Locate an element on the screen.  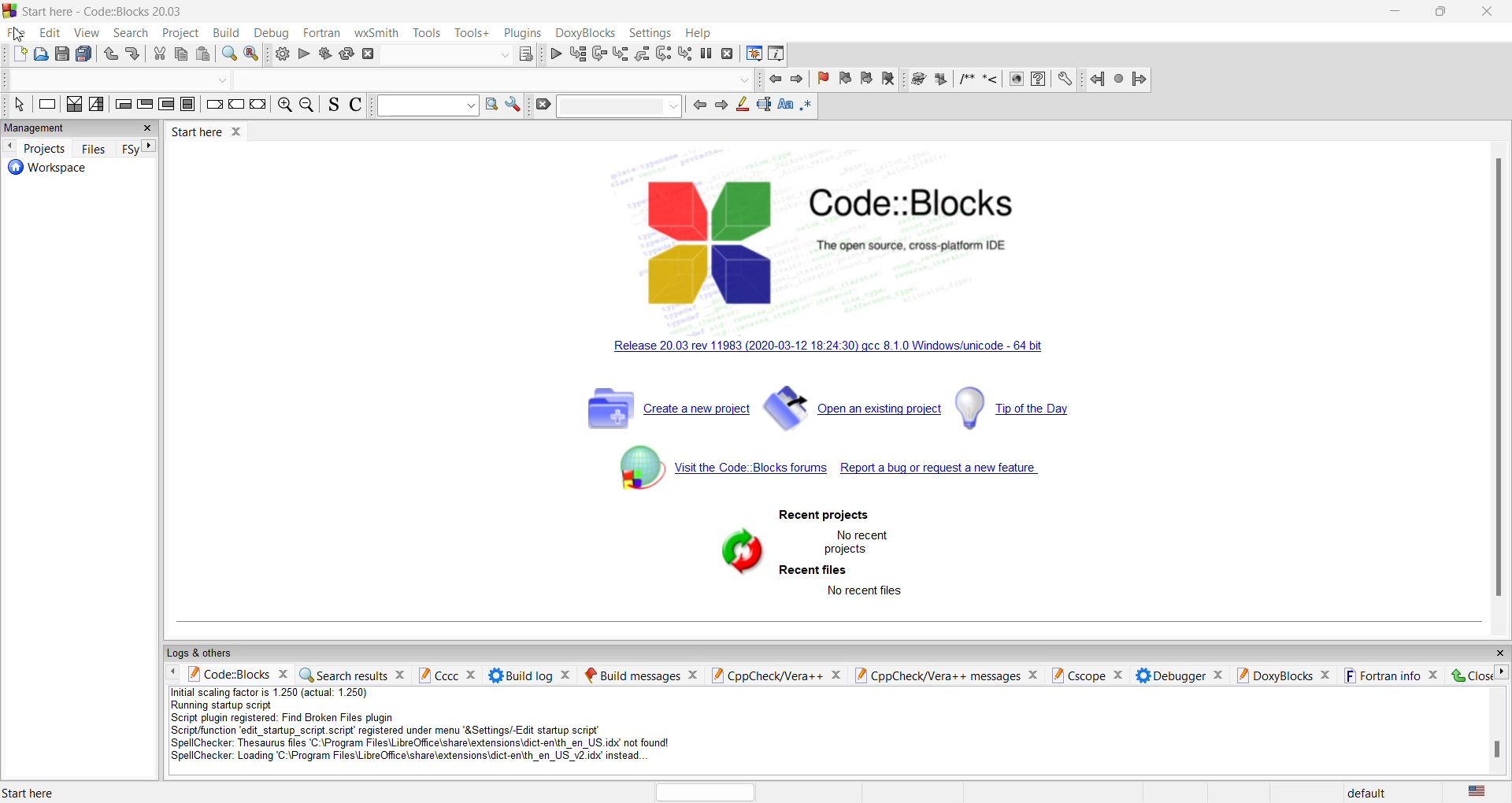
edit is located at coordinates (50, 33).